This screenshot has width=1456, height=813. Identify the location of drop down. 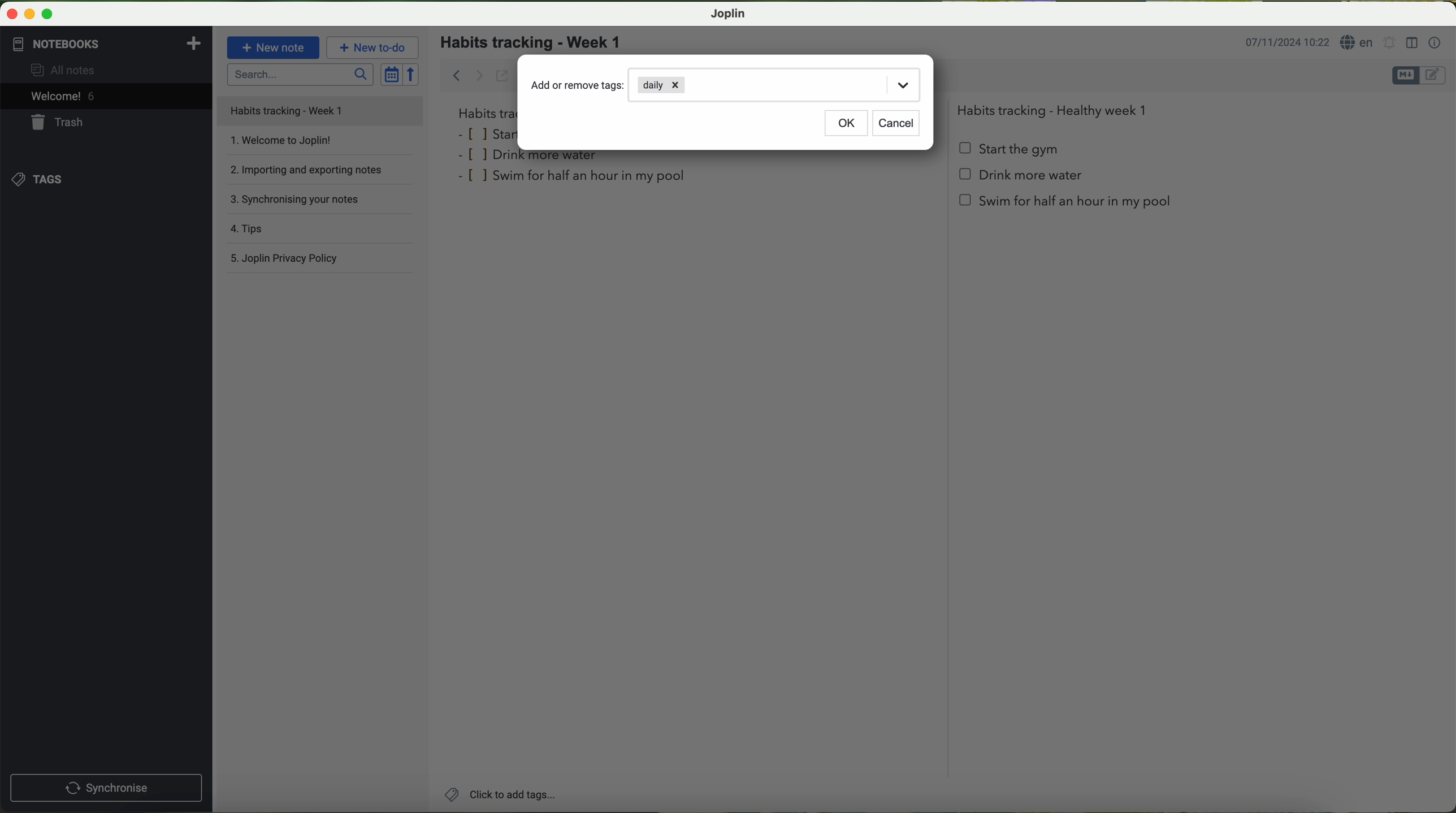
(903, 84).